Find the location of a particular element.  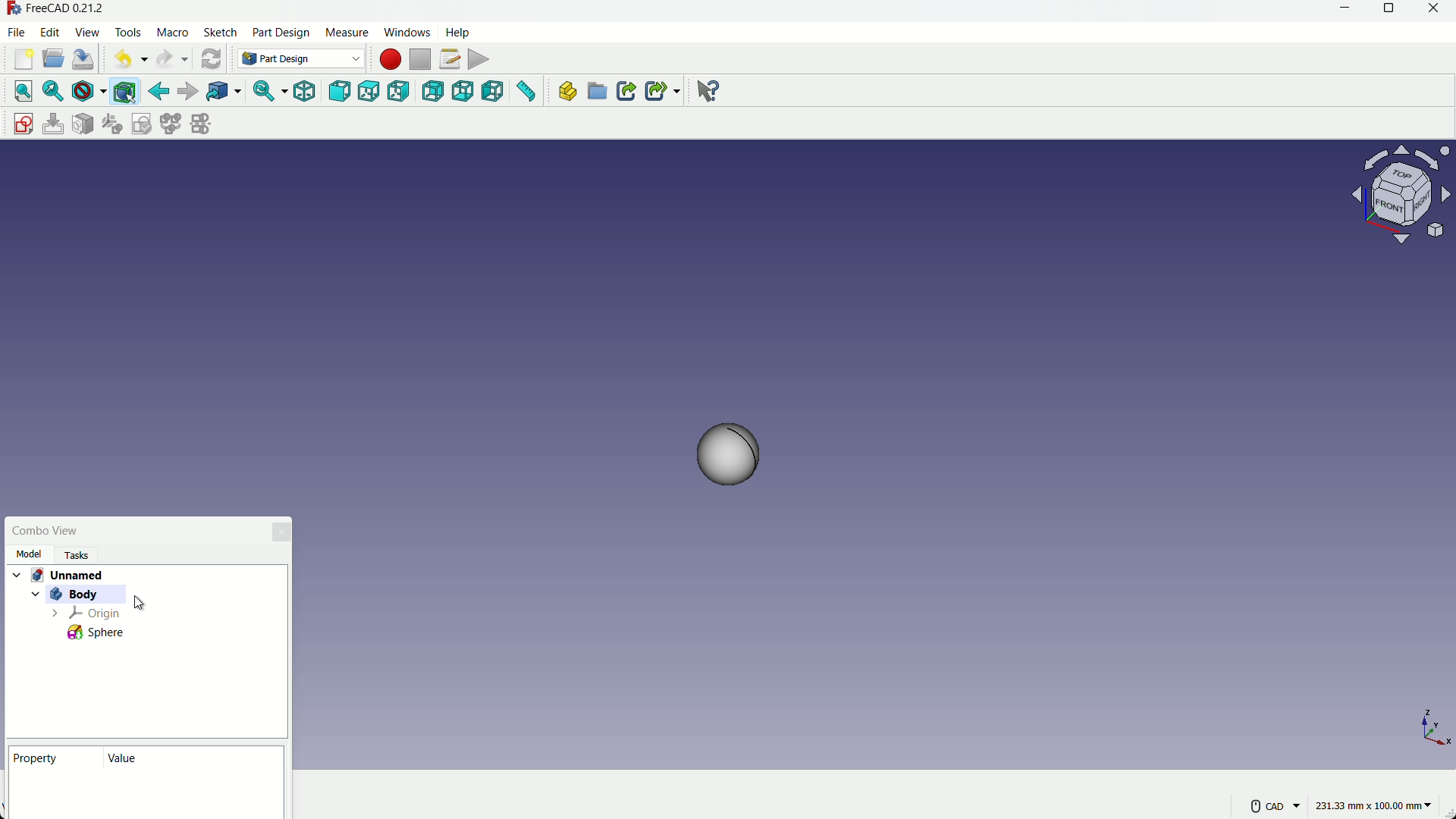

help extension is located at coordinates (709, 93).